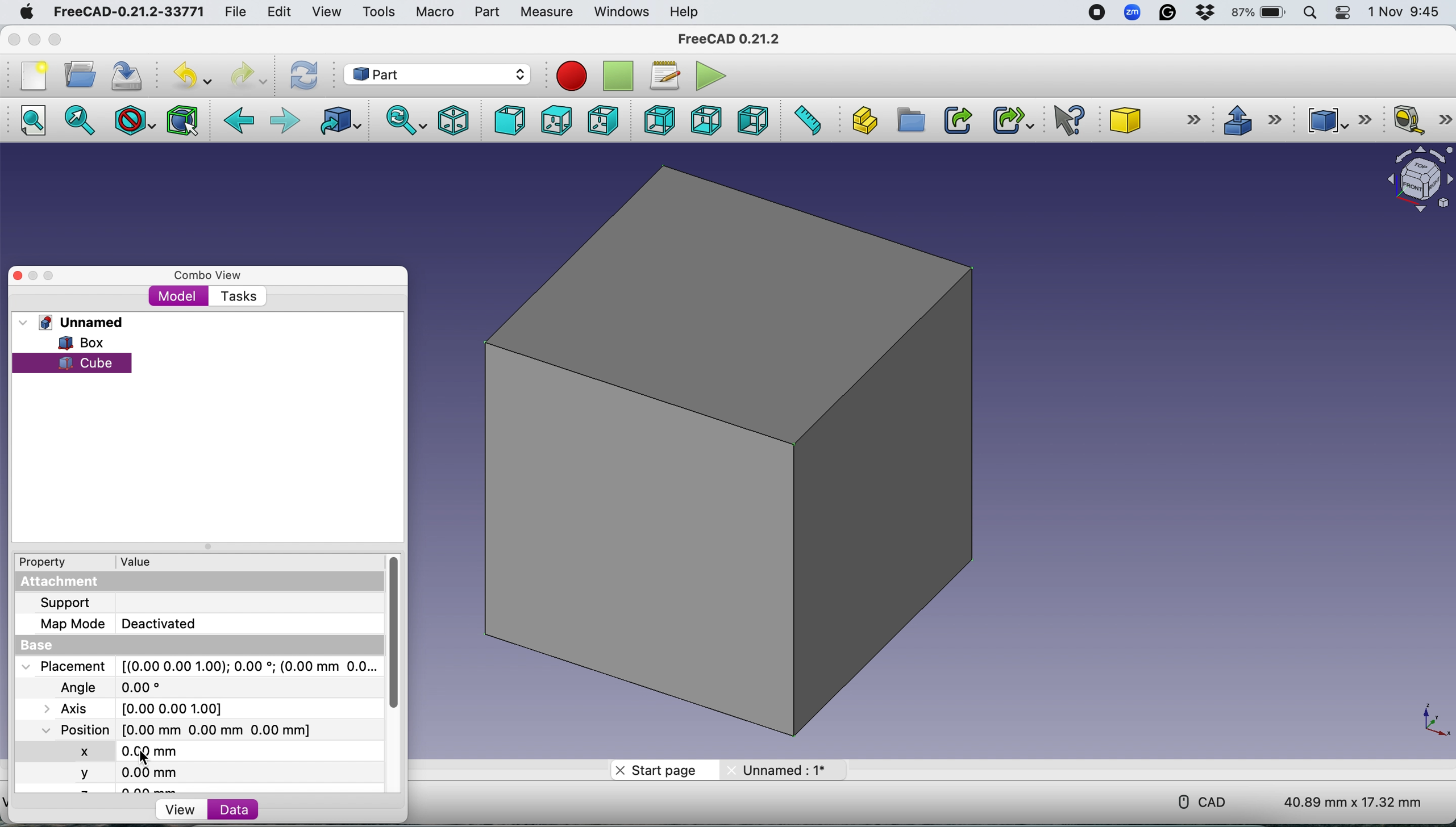  I want to click on 87% battery, so click(1260, 13).